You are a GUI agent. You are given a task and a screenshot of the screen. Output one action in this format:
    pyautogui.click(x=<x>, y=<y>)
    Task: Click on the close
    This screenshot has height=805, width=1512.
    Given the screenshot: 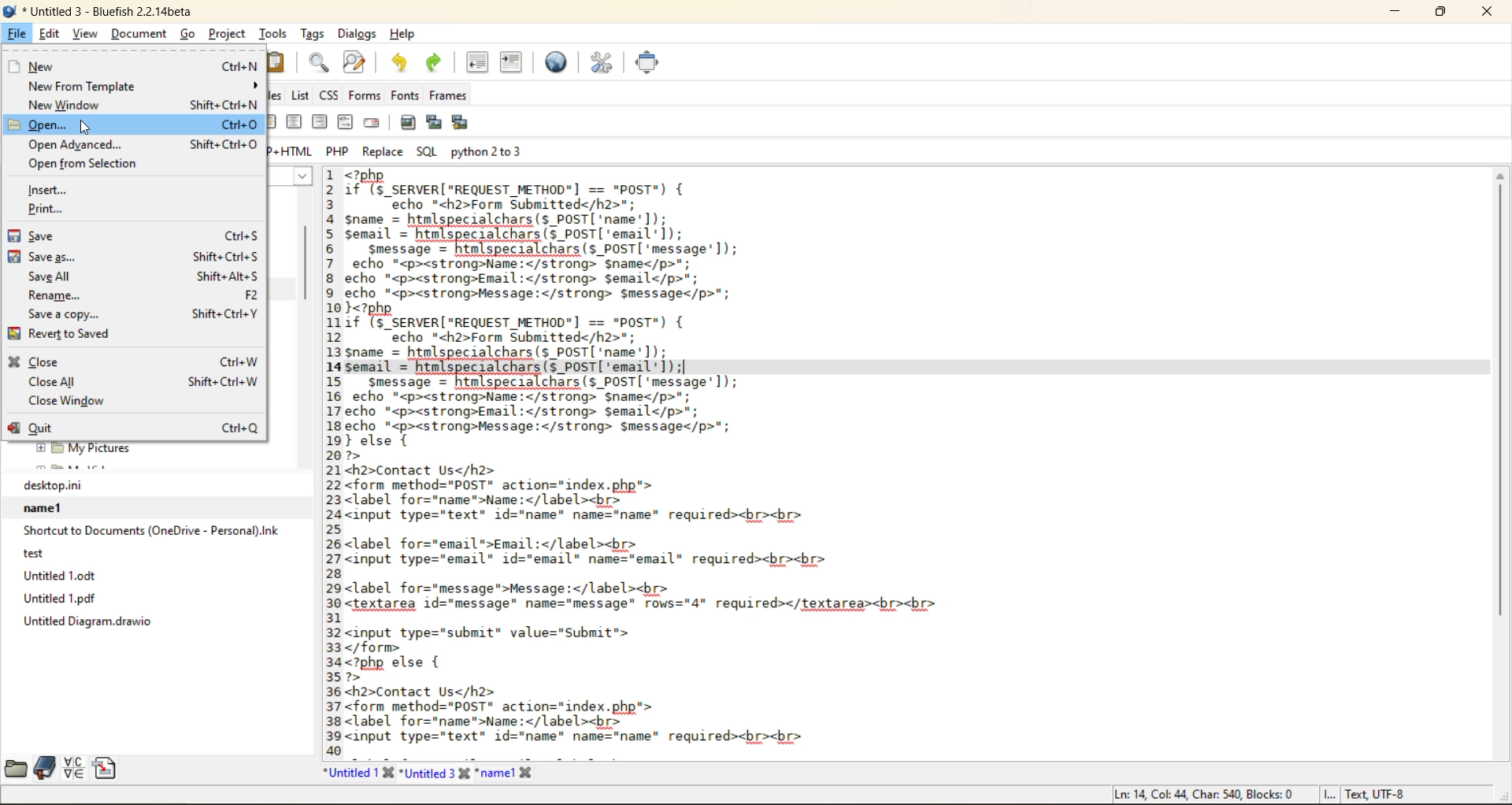 What is the action you would take?
    pyautogui.click(x=1492, y=13)
    